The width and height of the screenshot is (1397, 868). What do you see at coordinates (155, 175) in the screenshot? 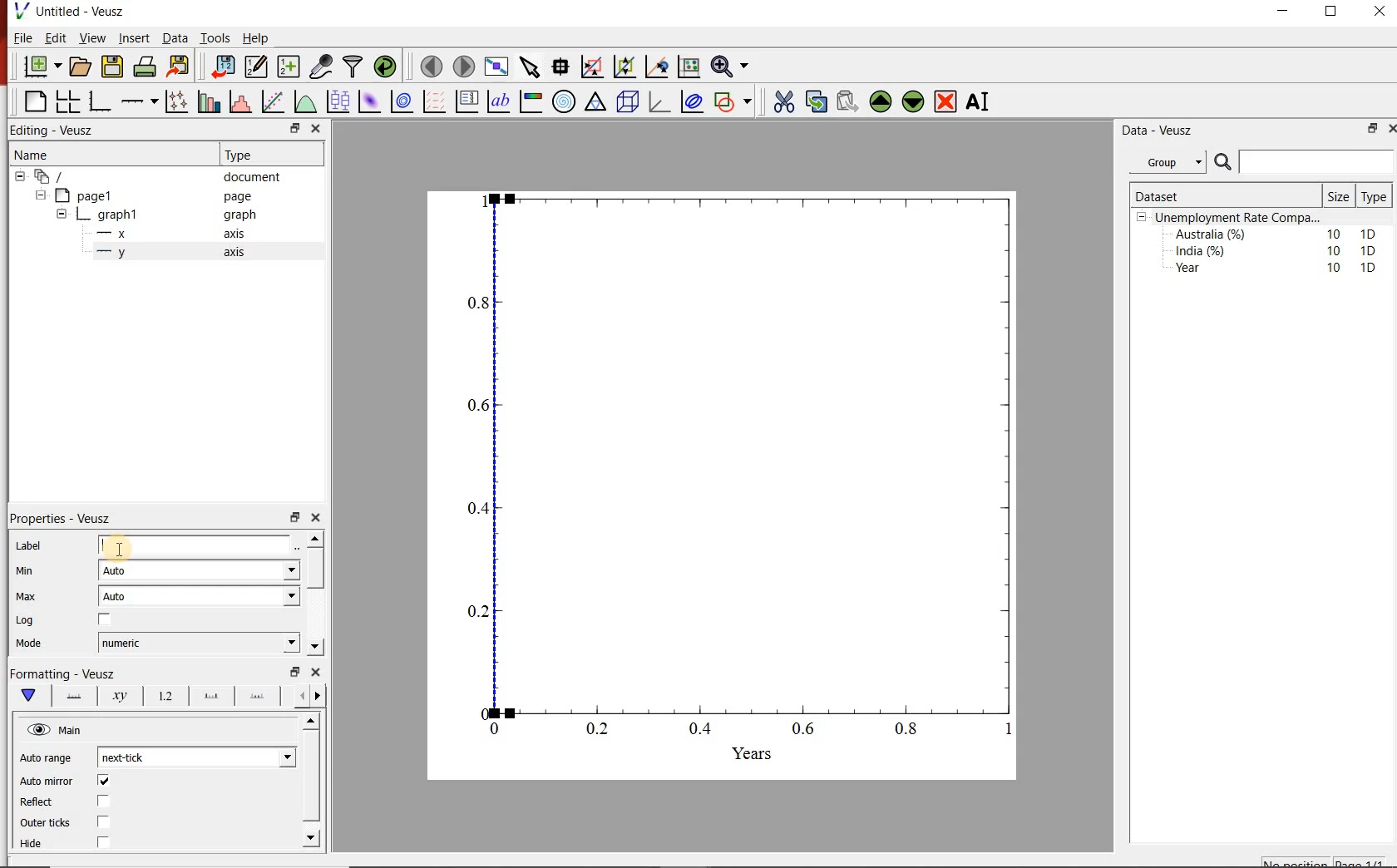
I see `‘document` at bounding box center [155, 175].